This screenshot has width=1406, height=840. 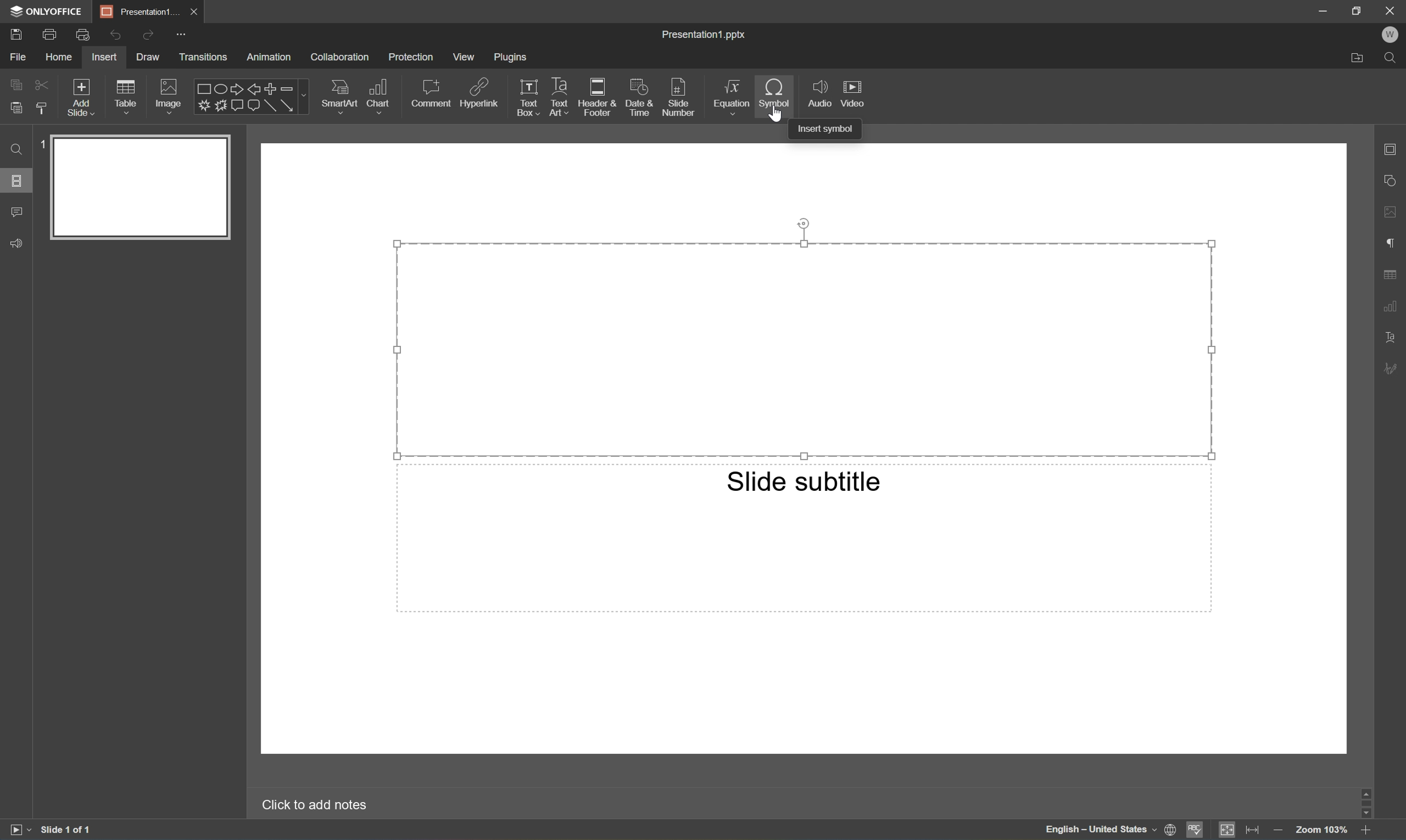 I want to click on mouse pointer, so click(x=780, y=118).